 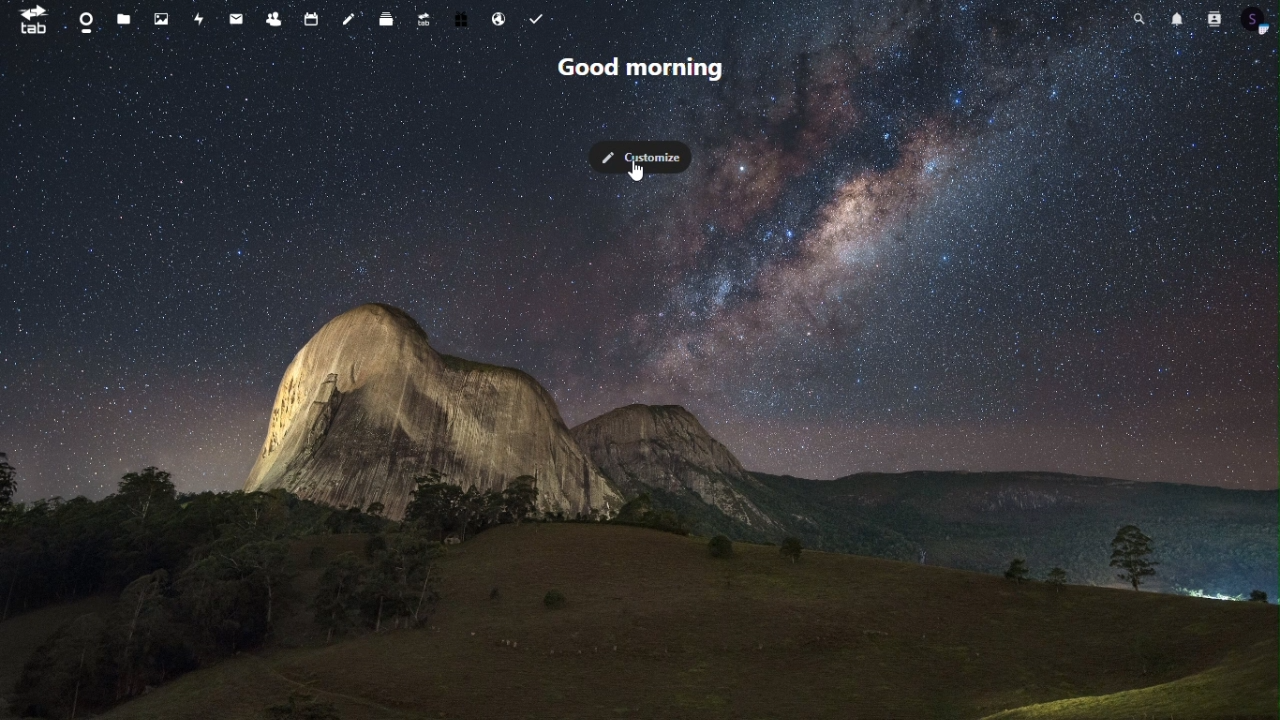 I want to click on photo, so click(x=164, y=20).